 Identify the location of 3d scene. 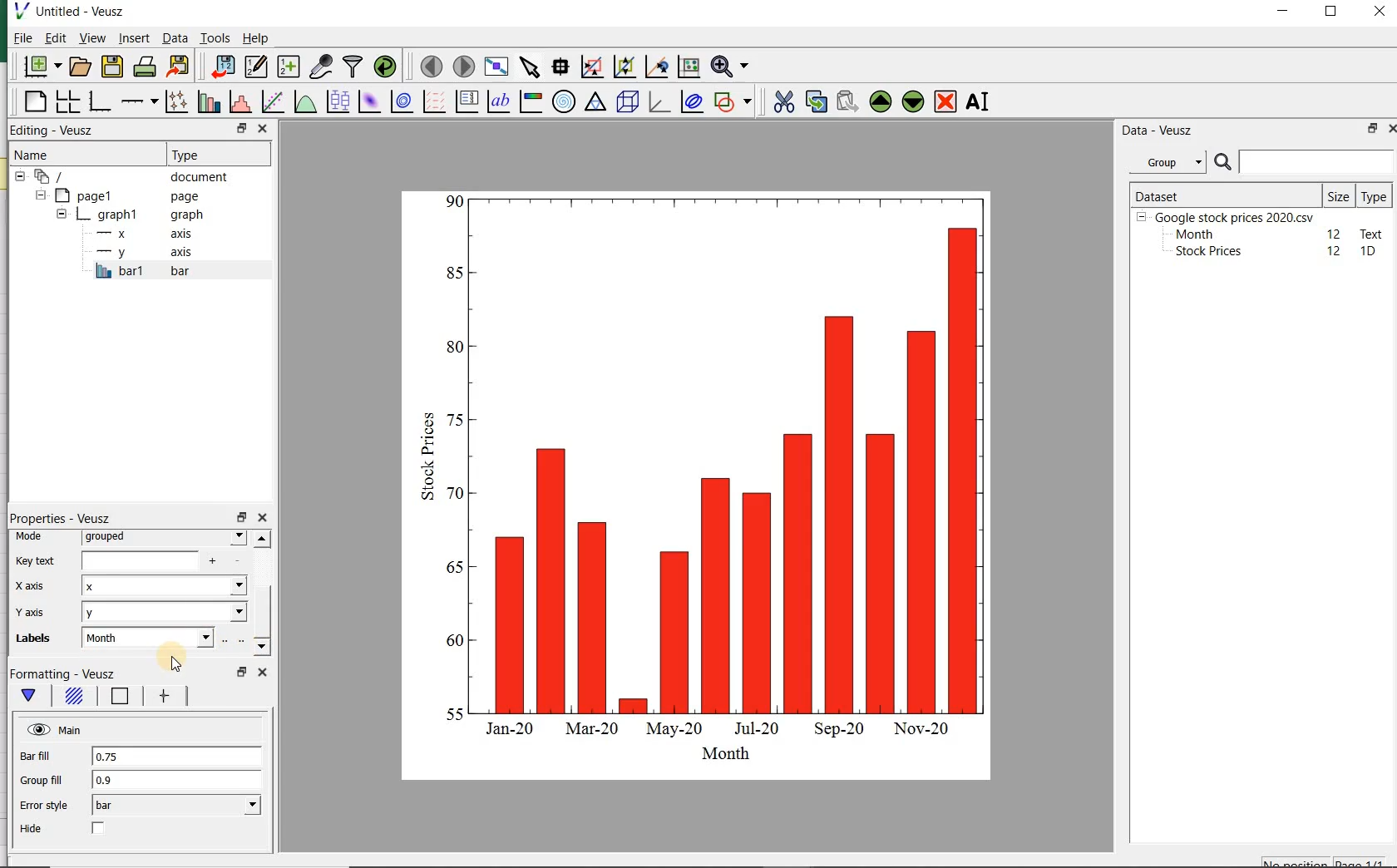
(628, 103).